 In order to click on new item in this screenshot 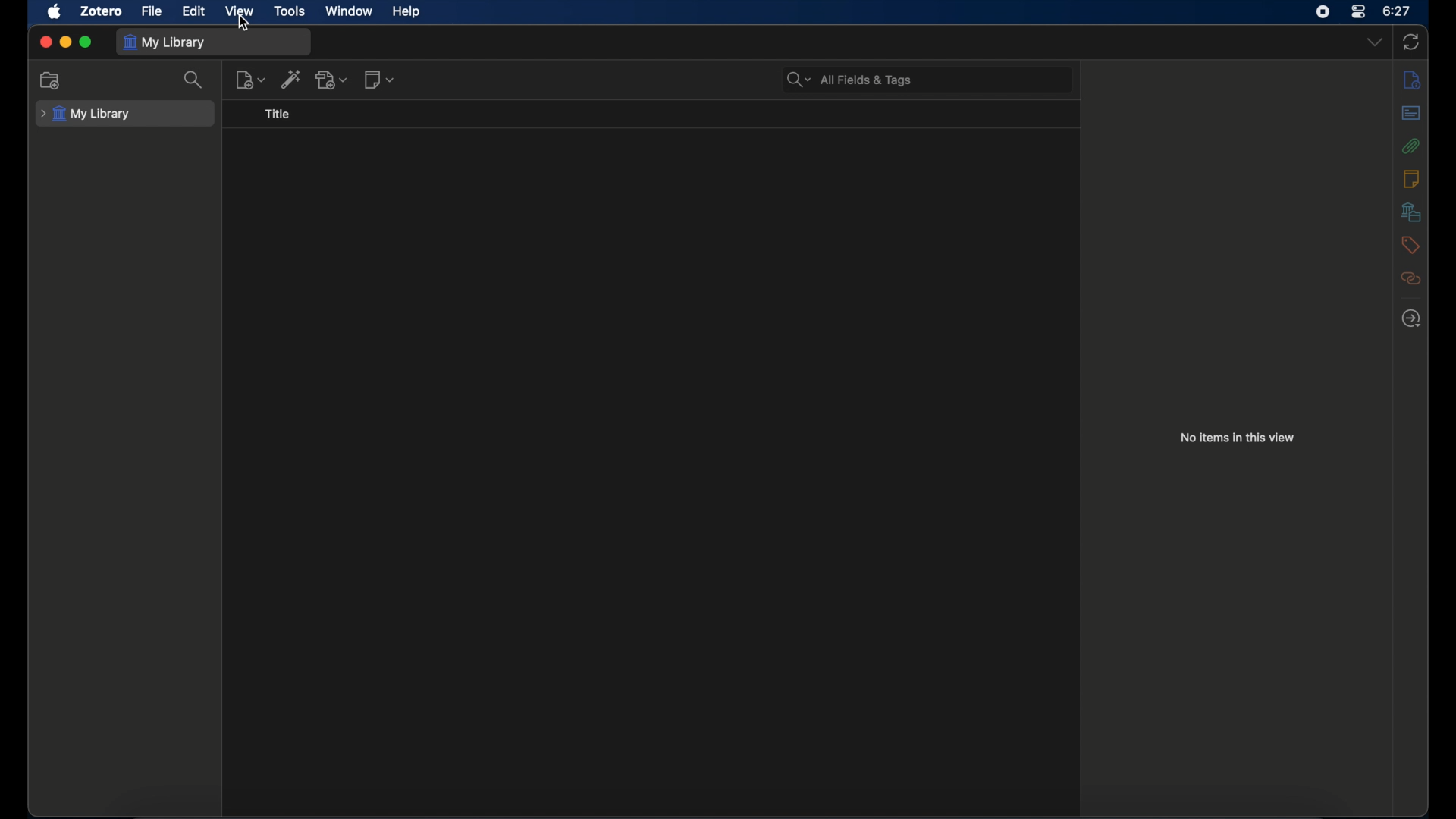, I will do `click(250, 80)`.